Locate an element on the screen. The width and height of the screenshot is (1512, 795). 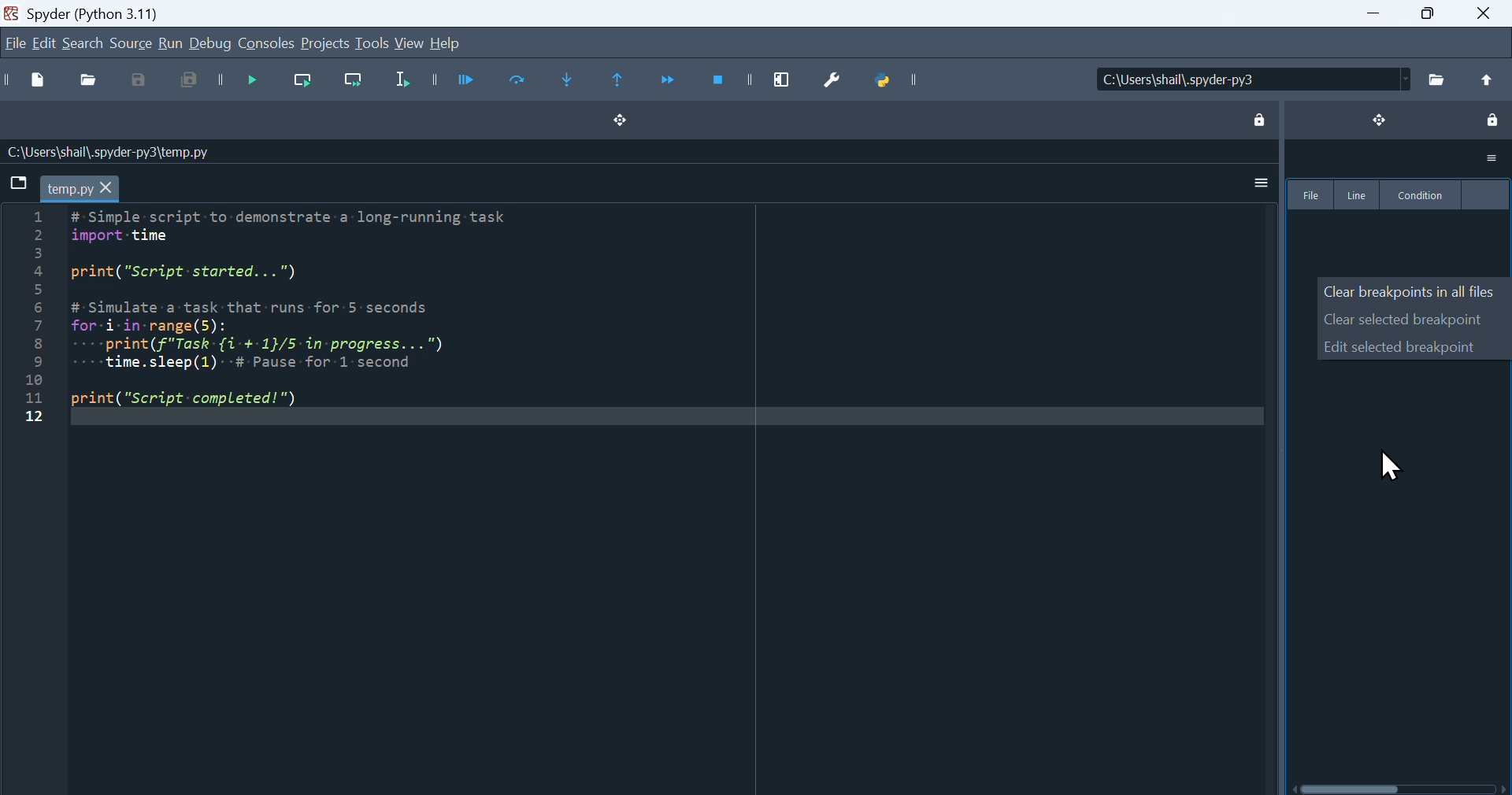
Run is located at coordinates (171, 42).